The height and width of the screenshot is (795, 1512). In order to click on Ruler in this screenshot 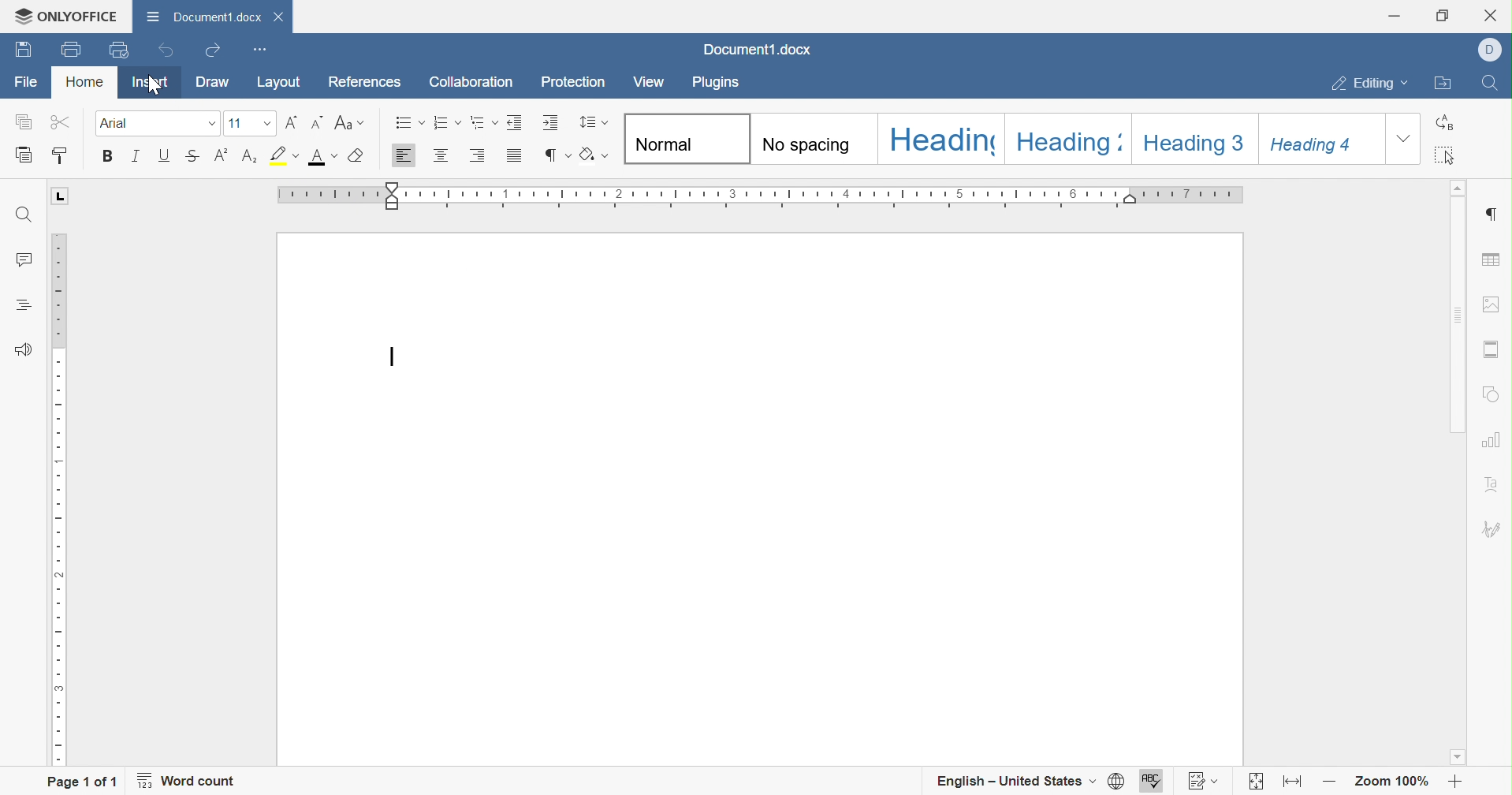, I will do `click(762, 192)`.